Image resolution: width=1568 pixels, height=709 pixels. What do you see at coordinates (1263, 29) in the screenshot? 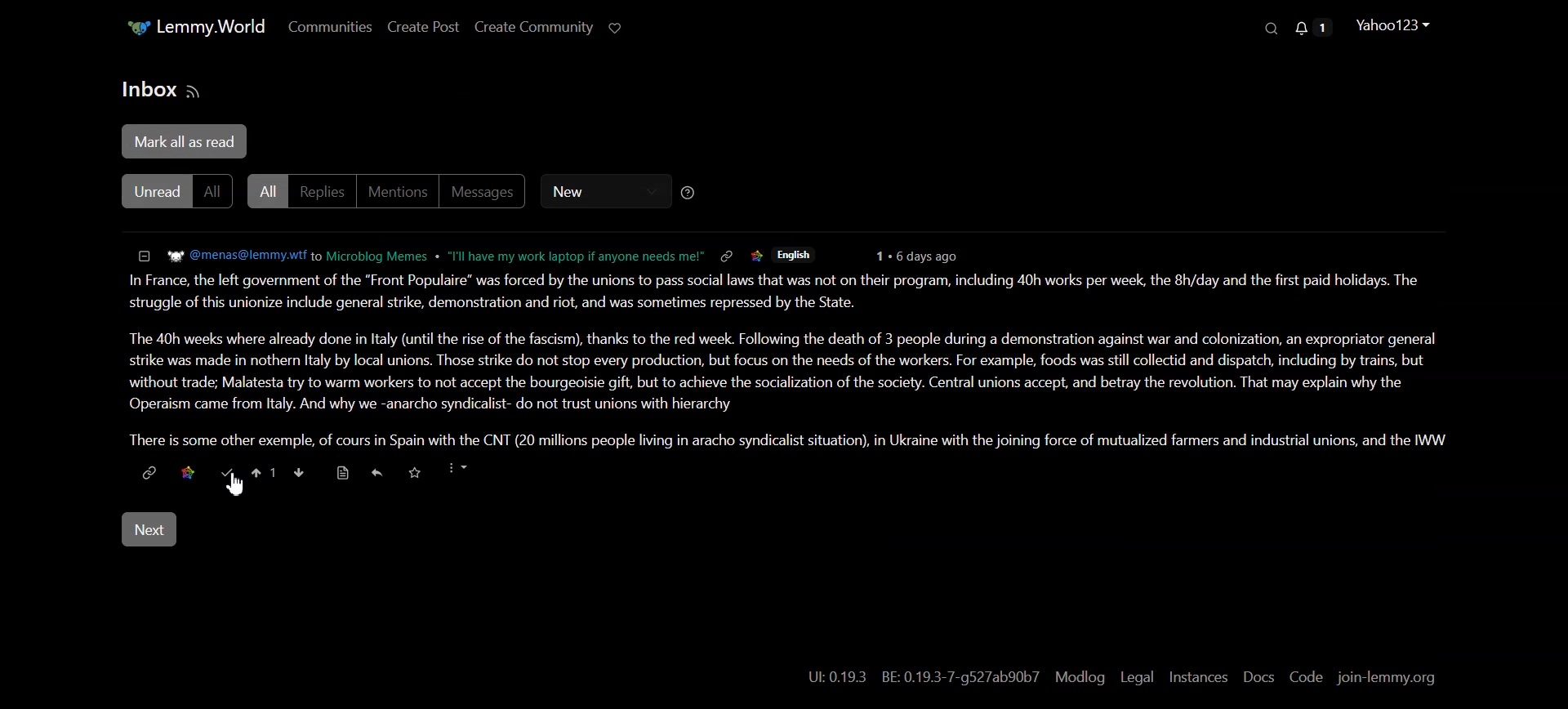
I see `Search` at bounding box center [1263, 29].